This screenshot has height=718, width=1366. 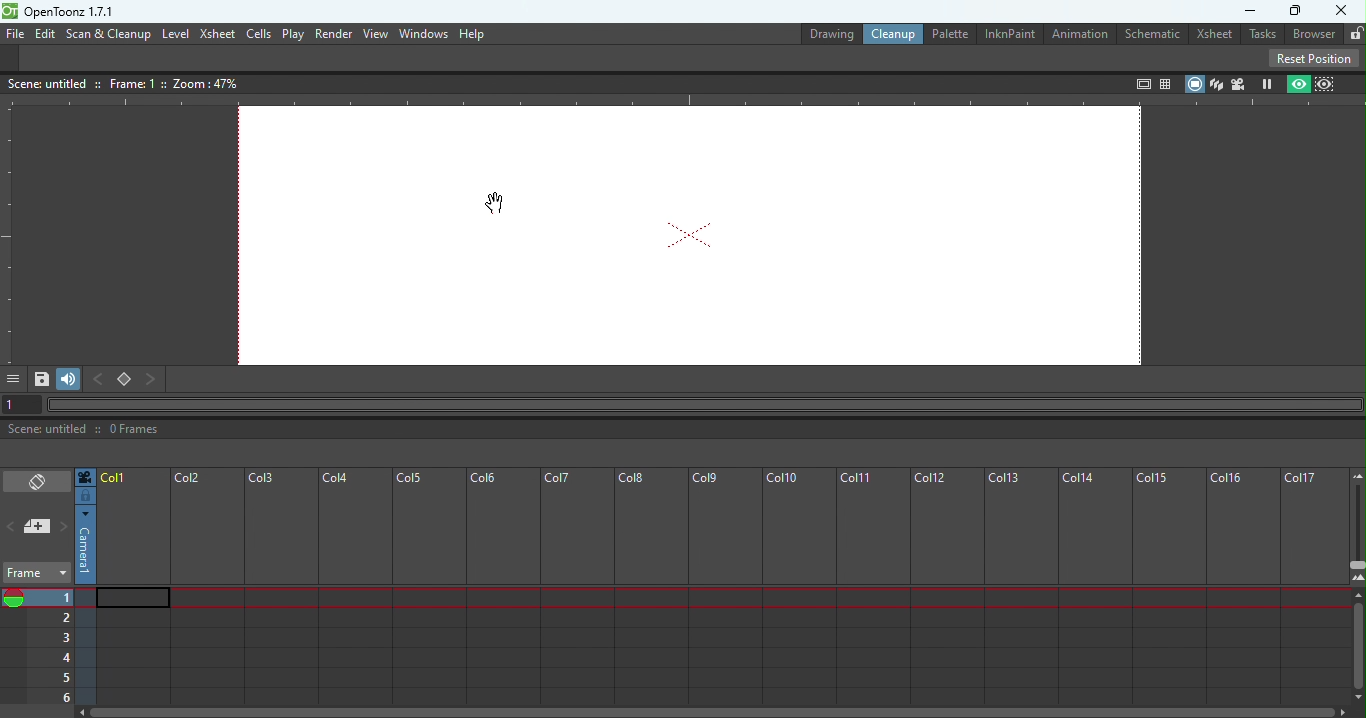 What do you see at coordinates (159, 375) in the screenshot?
I see `Next key` at bounding box center [159, 375].